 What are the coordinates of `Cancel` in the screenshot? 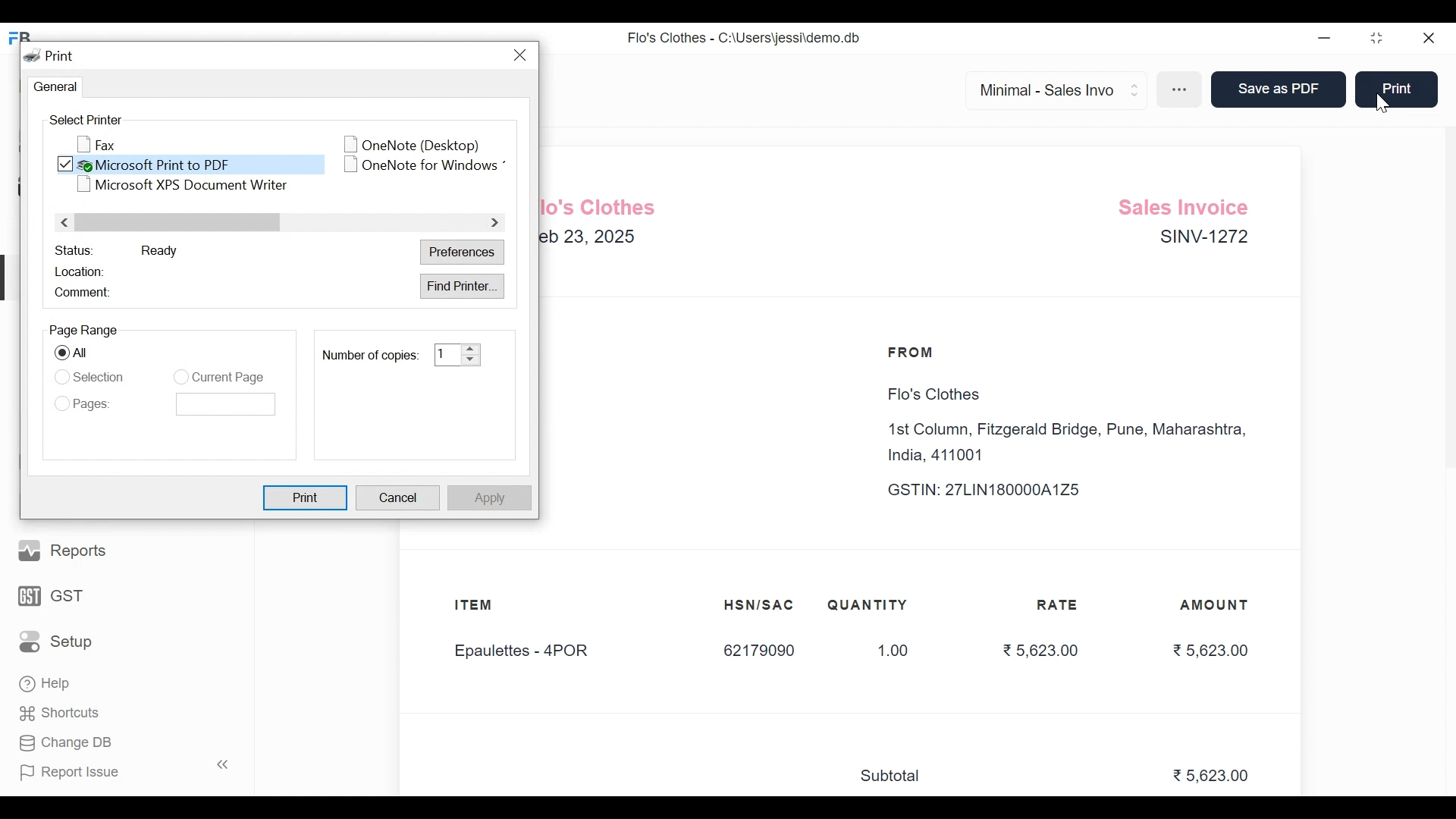 It's located at (399, 499).